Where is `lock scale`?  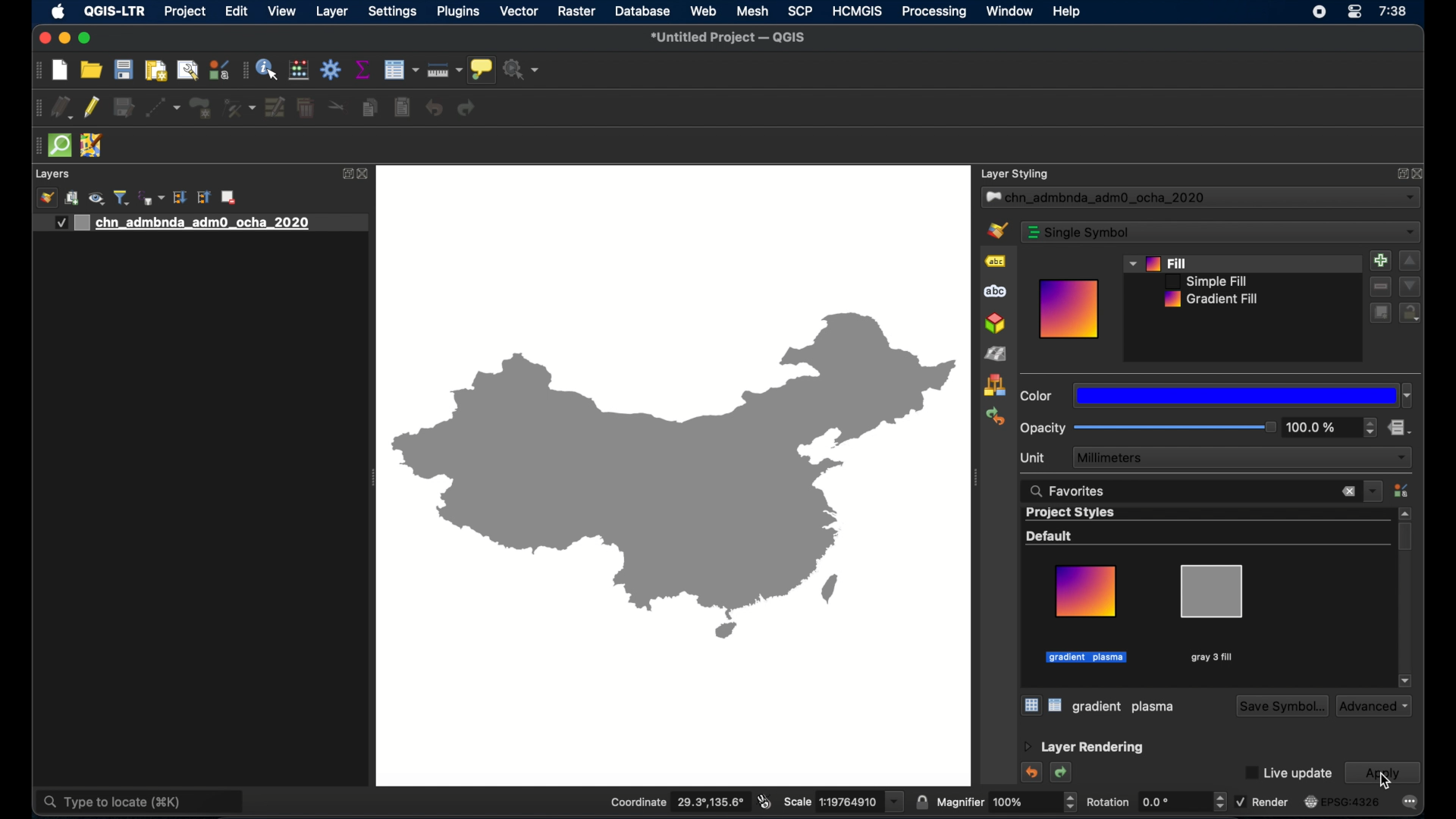 lock scale is located at coordinates (921, 802).